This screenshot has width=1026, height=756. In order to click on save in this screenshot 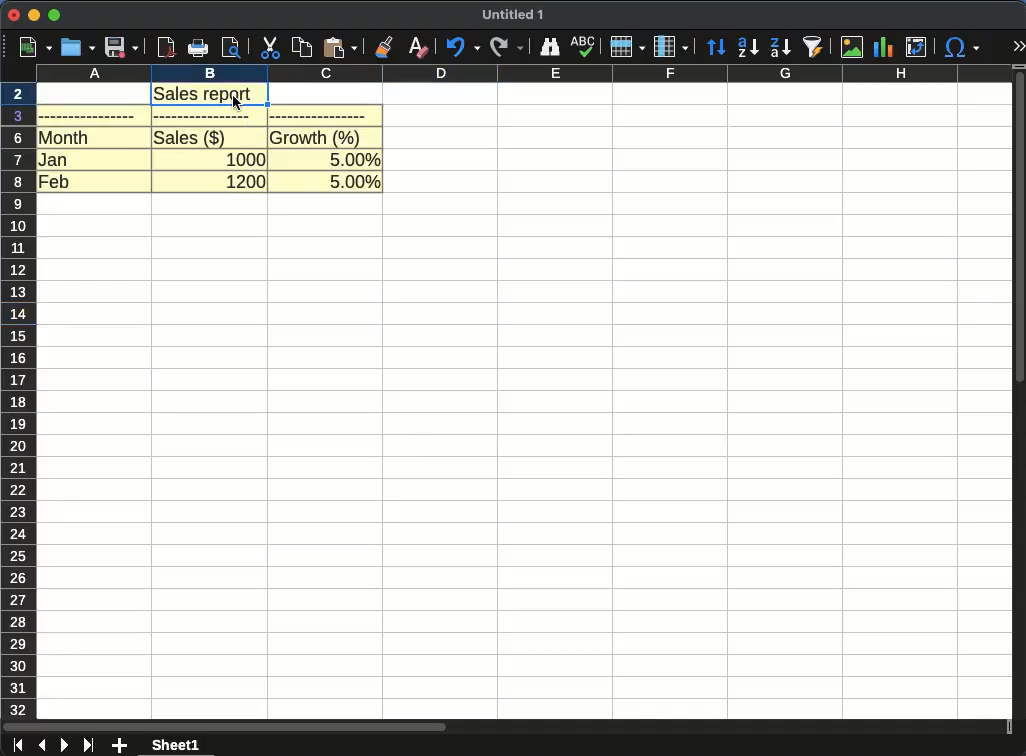, I will do `click(122, 47)`.